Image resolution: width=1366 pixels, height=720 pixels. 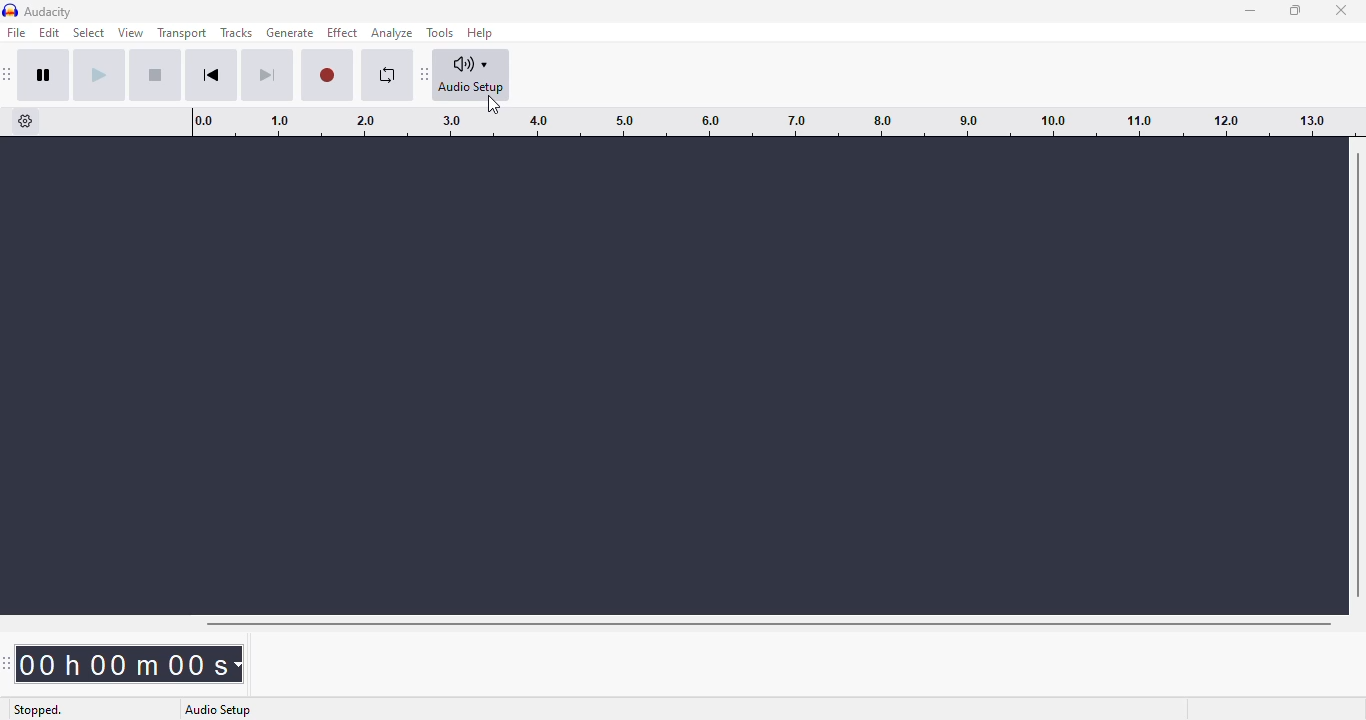 I want to click on play, so click(x=99, y=75).